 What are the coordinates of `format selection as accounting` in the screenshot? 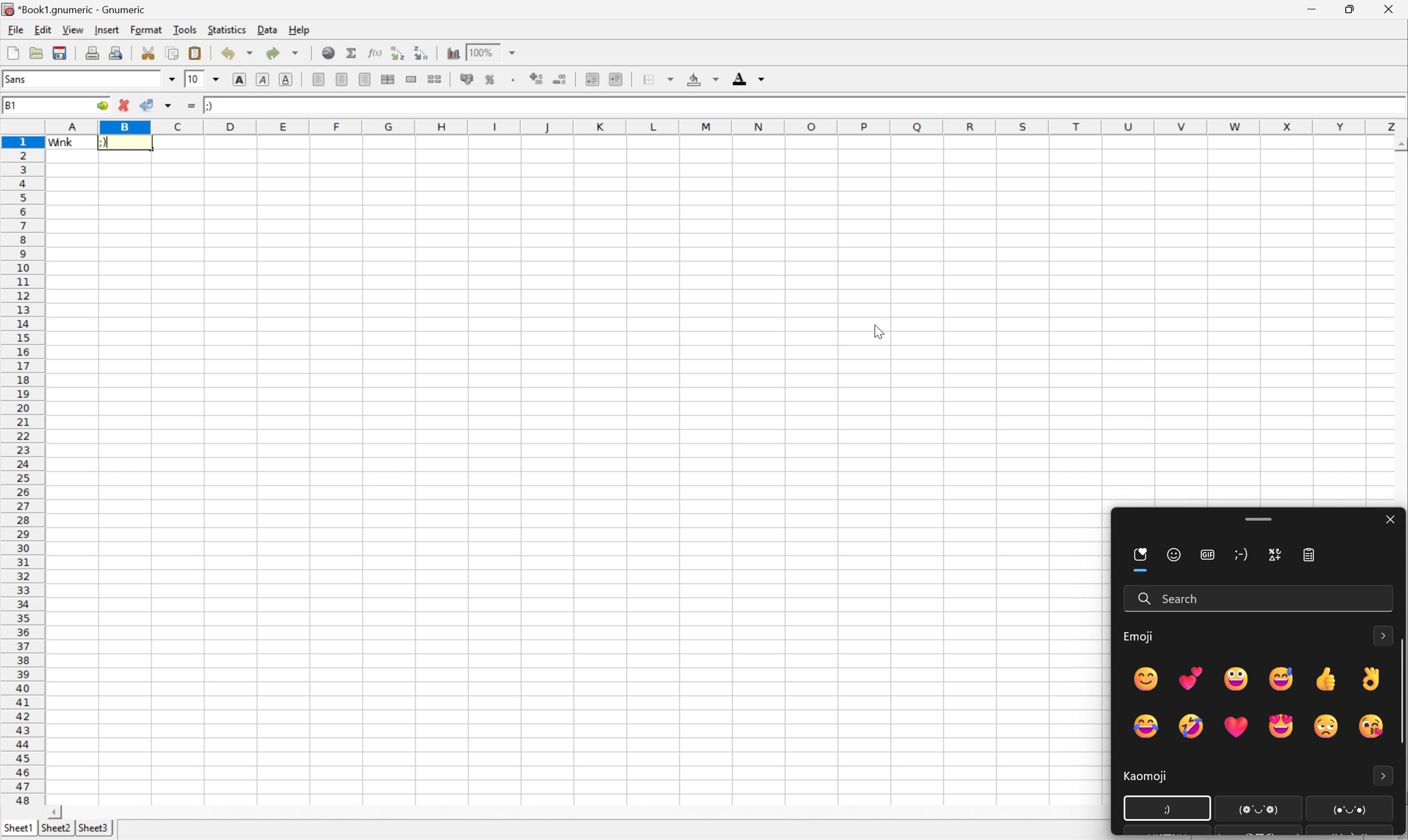 It's located at (467, 78).